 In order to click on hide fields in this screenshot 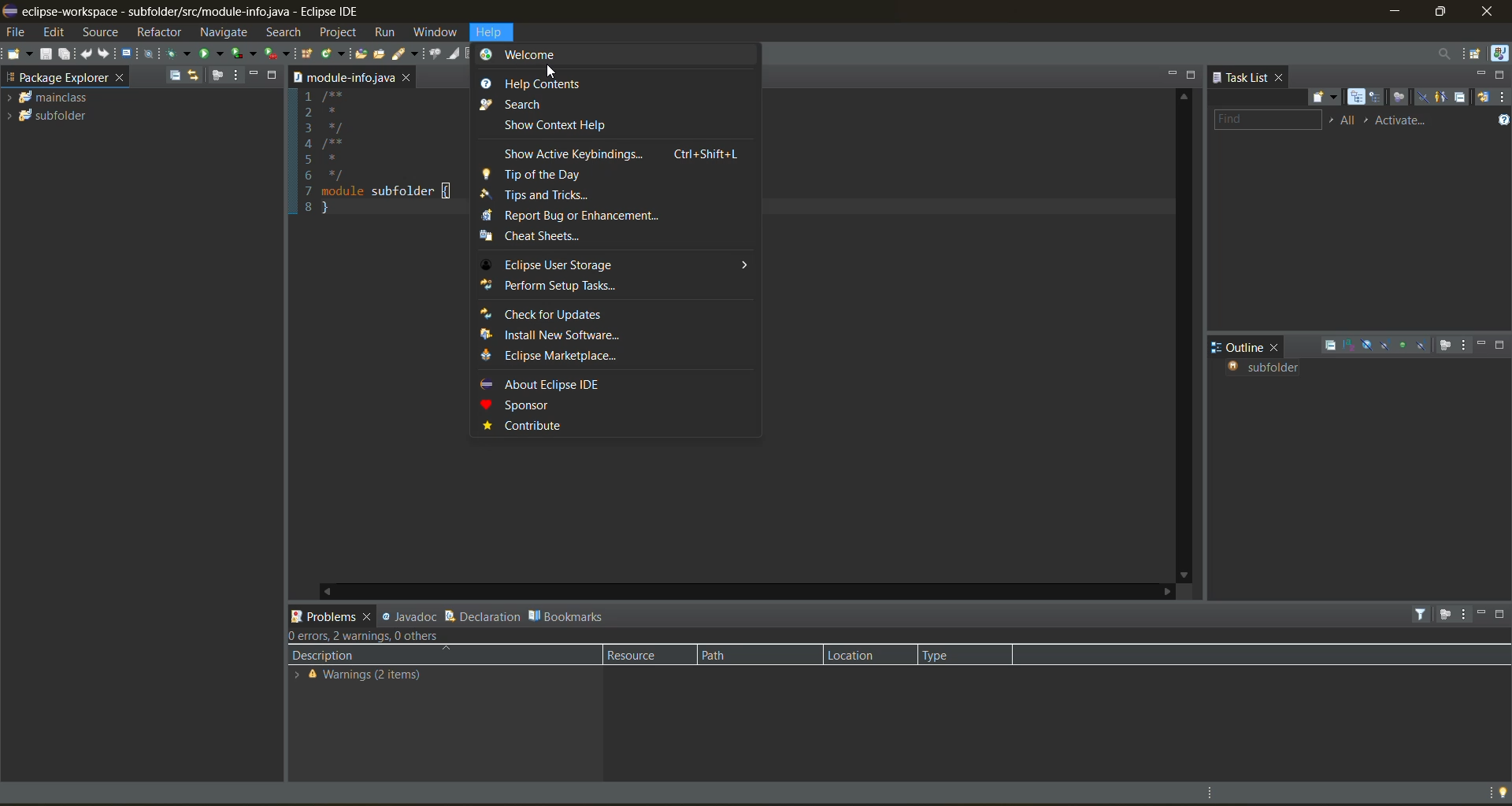, I will do `click(1368, 345)`.